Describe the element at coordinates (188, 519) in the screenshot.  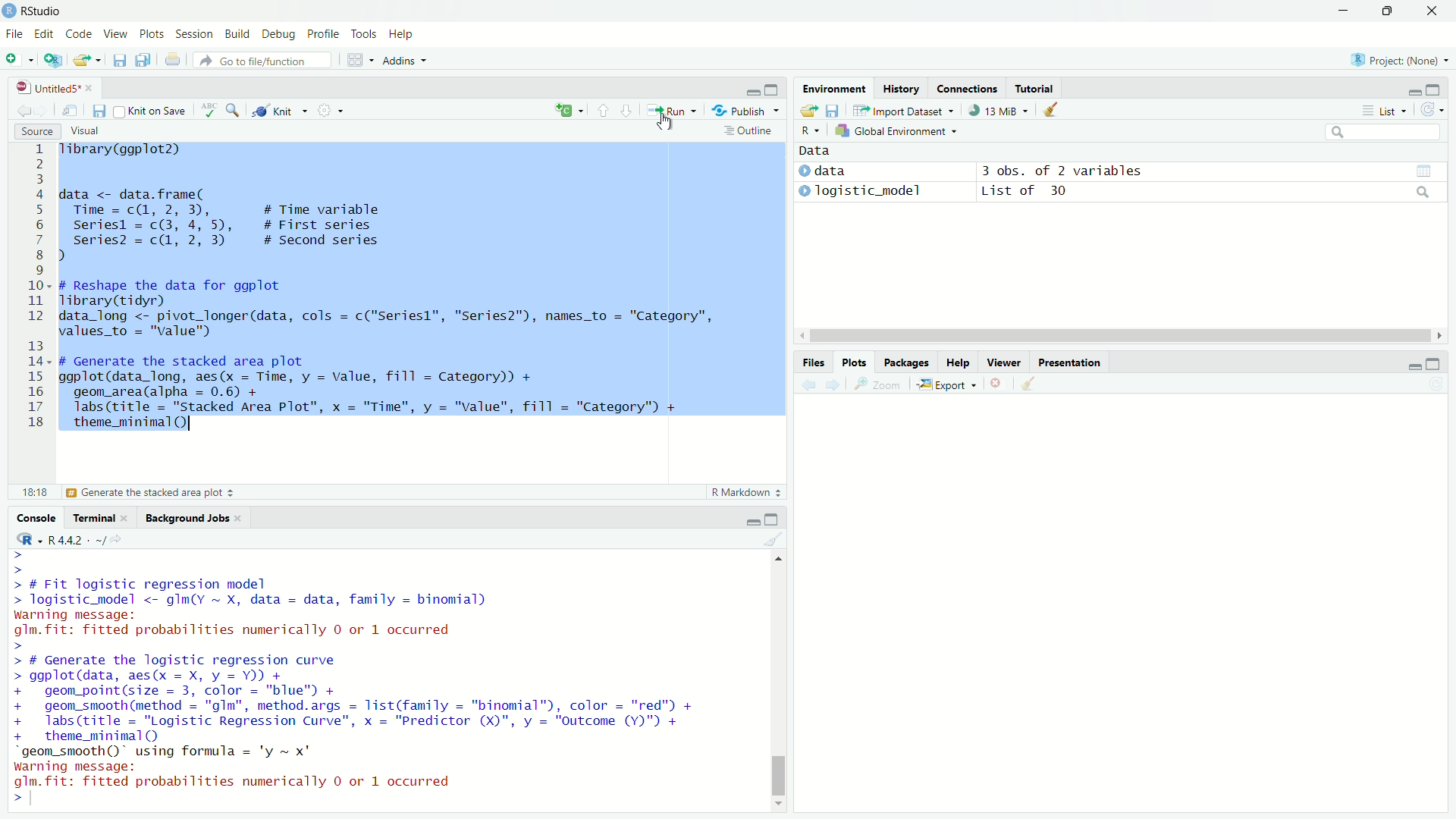
I see `Background Jobs` at that location.